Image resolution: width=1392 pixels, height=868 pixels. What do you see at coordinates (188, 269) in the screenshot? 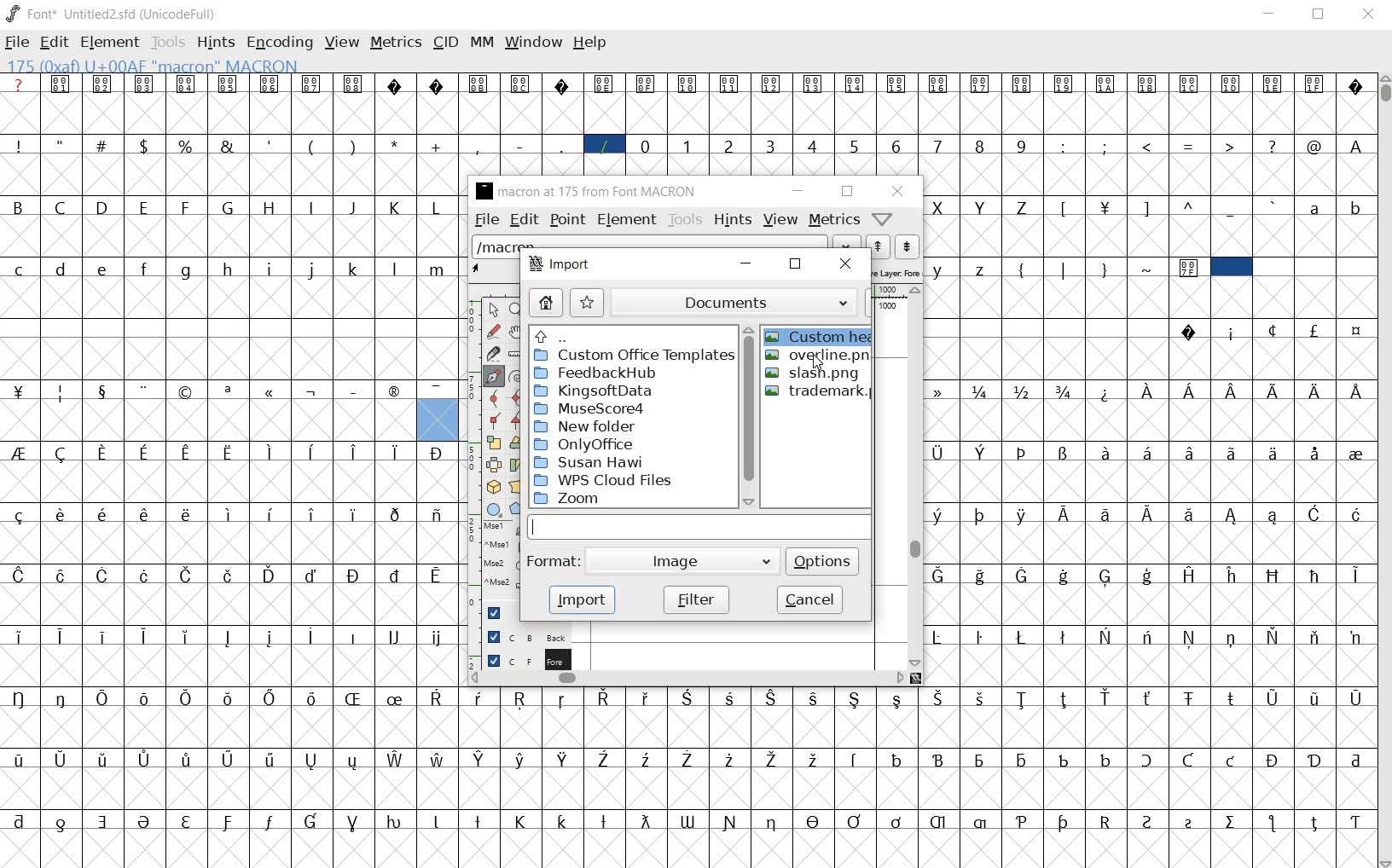
I see `g` at bounding box center [188, 269].